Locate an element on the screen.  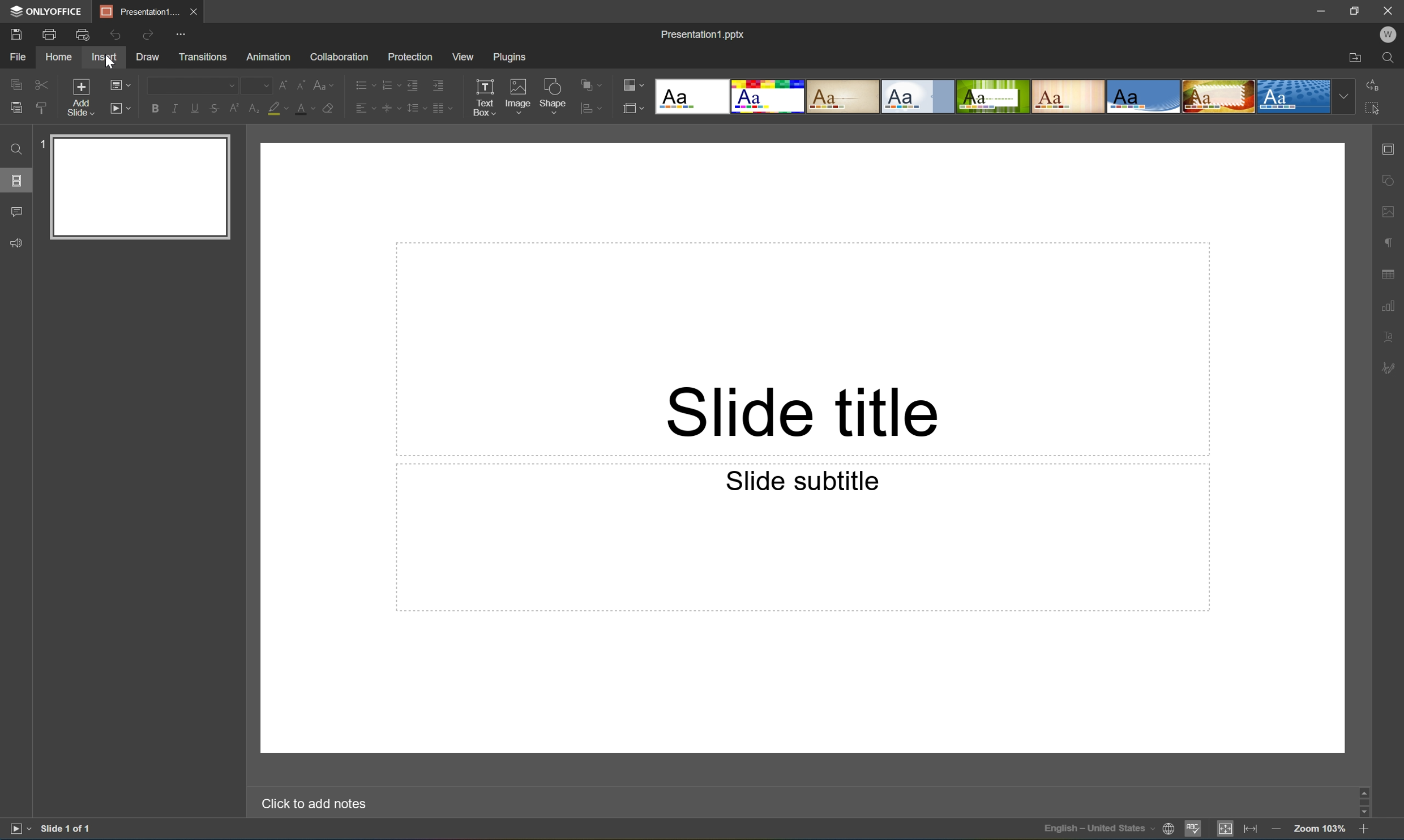
Quick Print is located at coordinates (82, 34).